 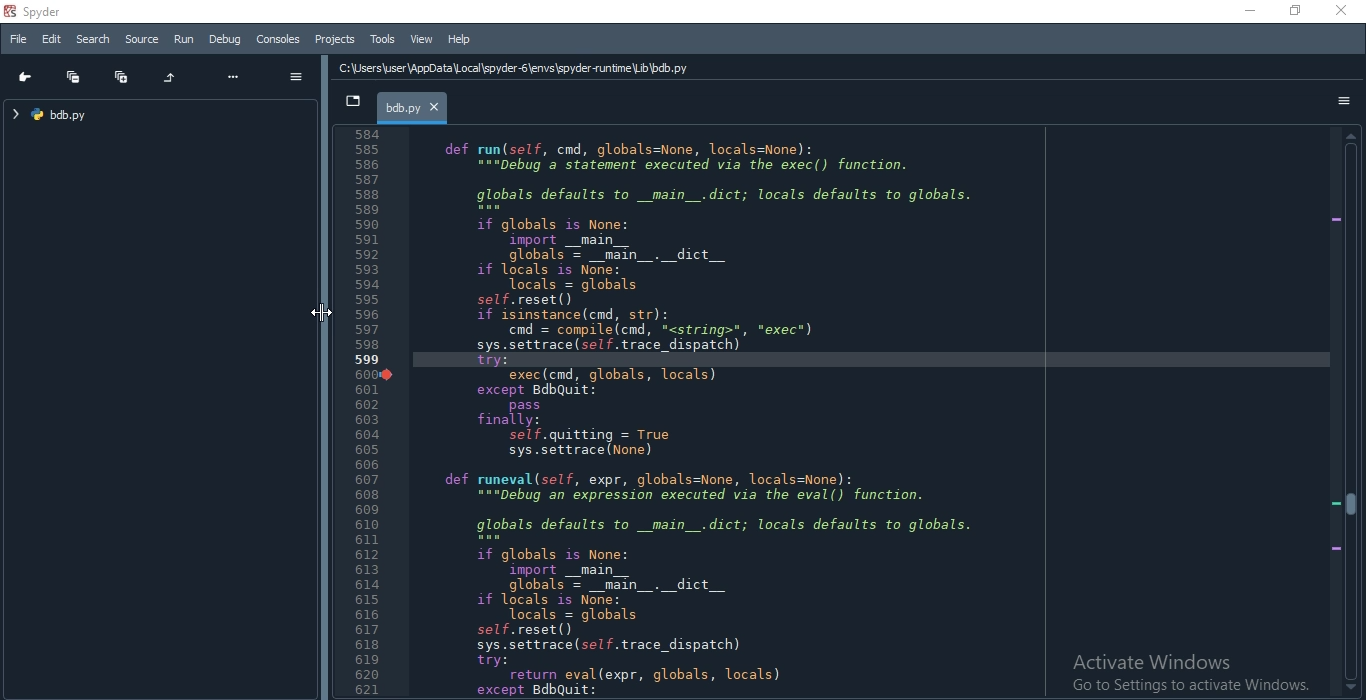 I want to click on Help, so click(x=458, y=40).